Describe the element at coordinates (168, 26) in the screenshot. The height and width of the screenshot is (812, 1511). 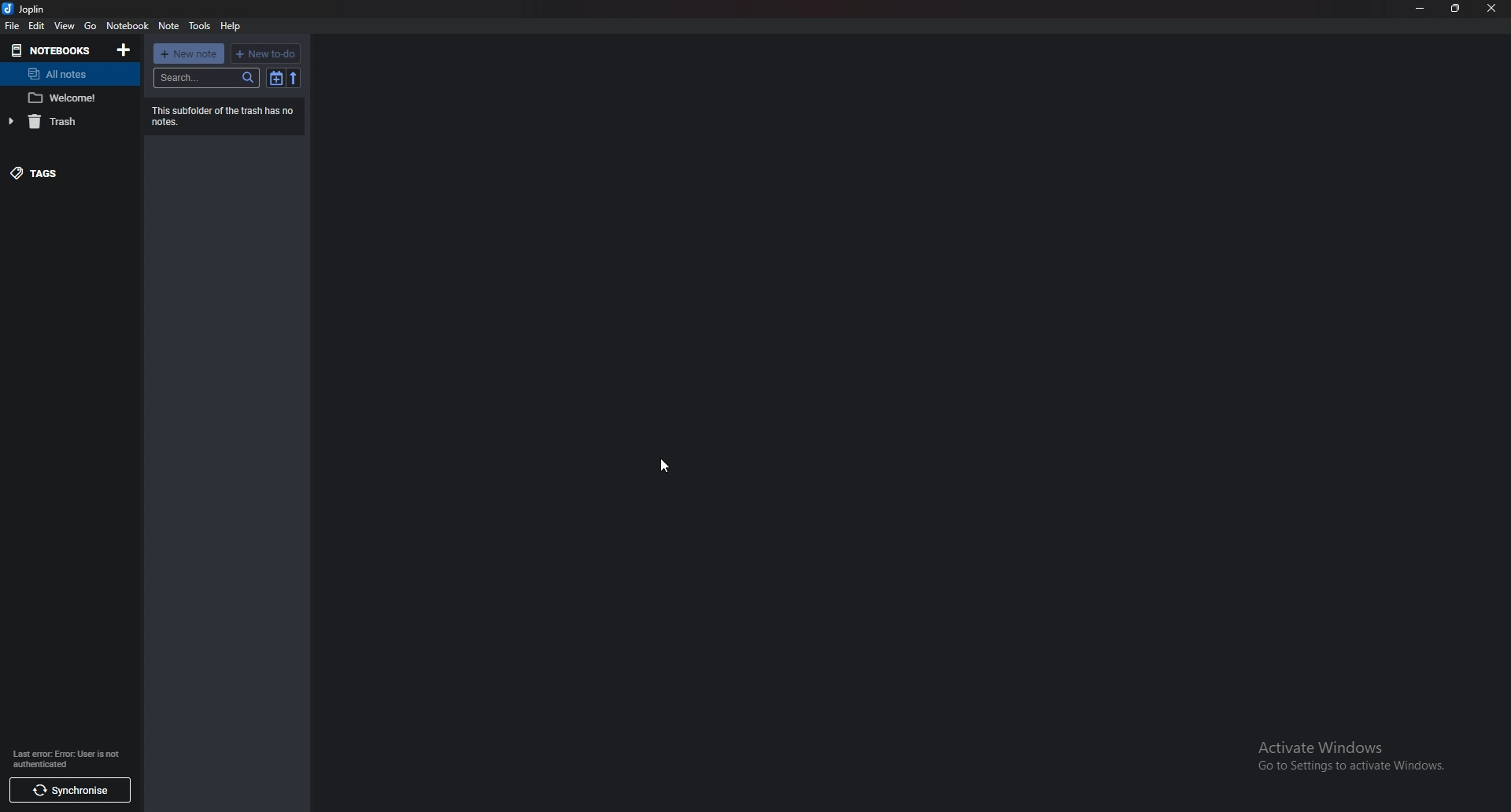
I see `note` at that location.